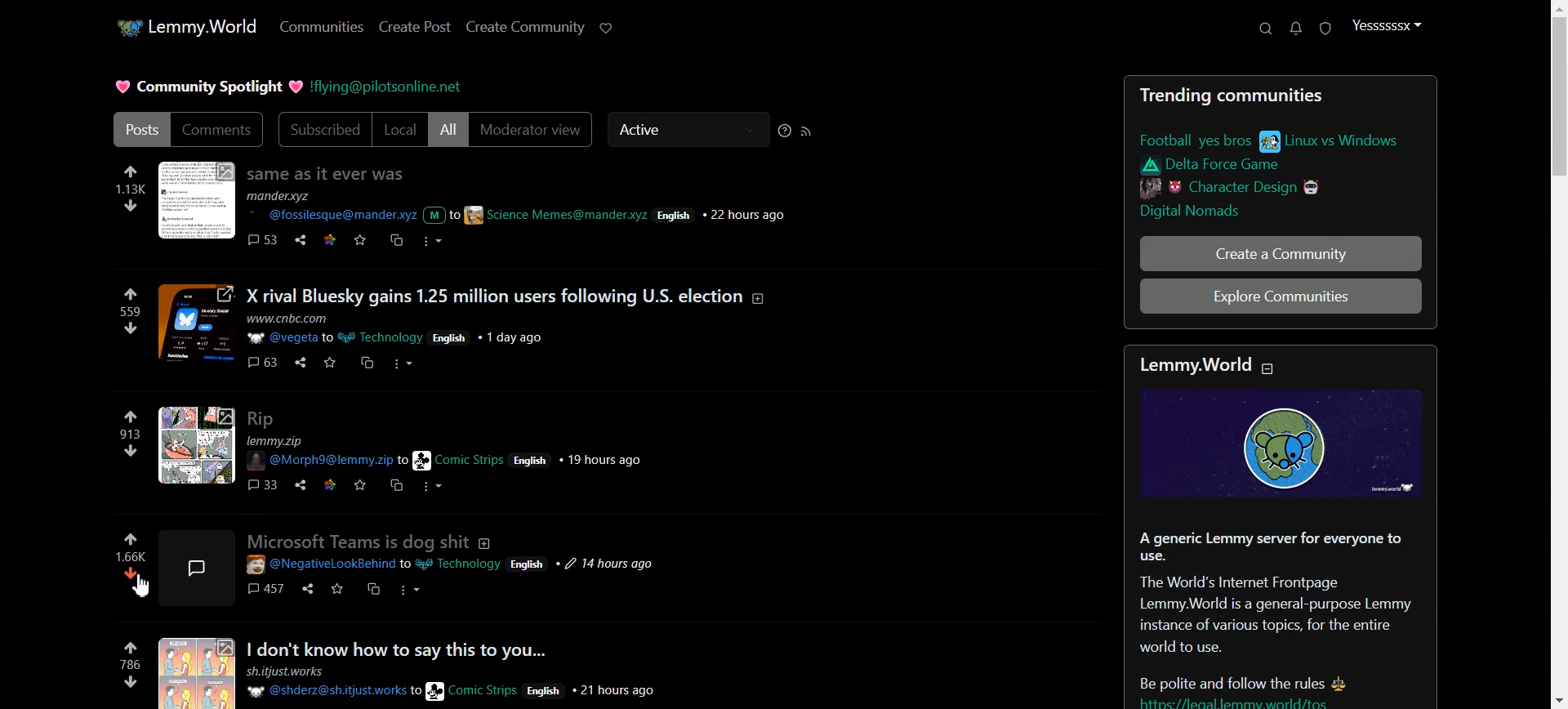  I want to click on post details, so click(405, 329).